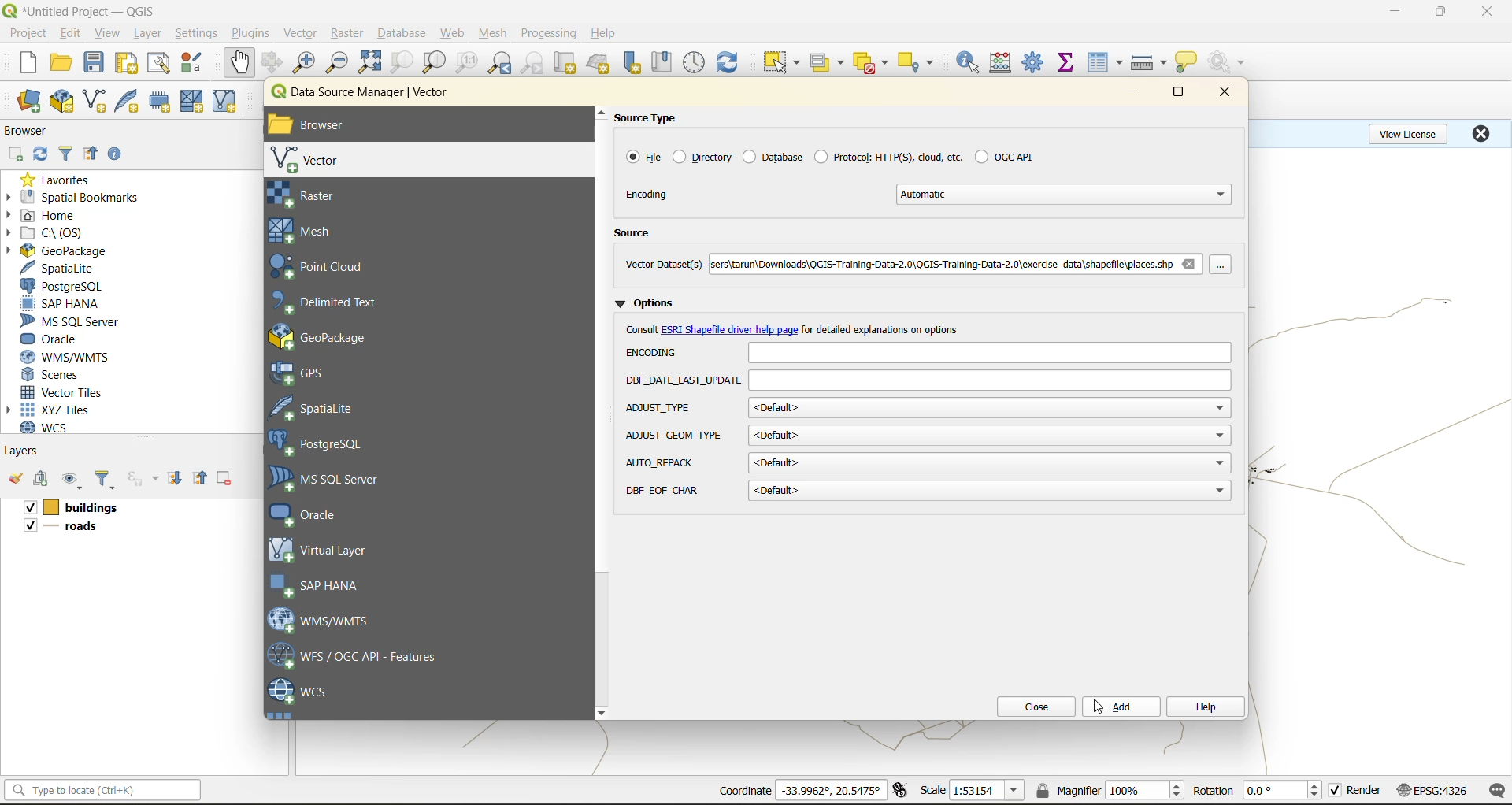 The width and height of the screenshot is (1512, 805). Describe the element at coordinates (990, 462) in the screenshot. I see `auto repack` at that location.